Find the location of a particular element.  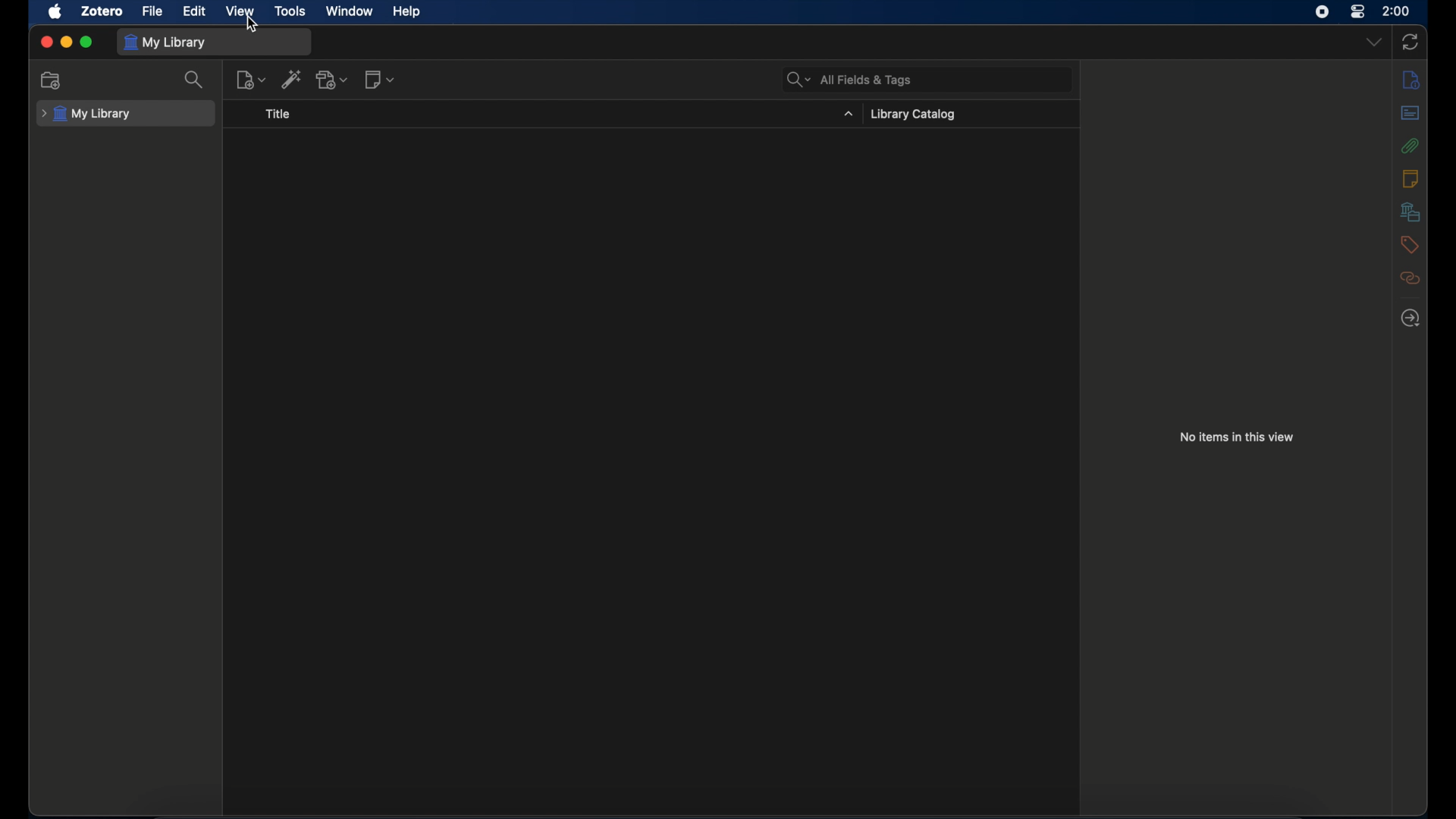

apple is located at coordinates (55, 12).